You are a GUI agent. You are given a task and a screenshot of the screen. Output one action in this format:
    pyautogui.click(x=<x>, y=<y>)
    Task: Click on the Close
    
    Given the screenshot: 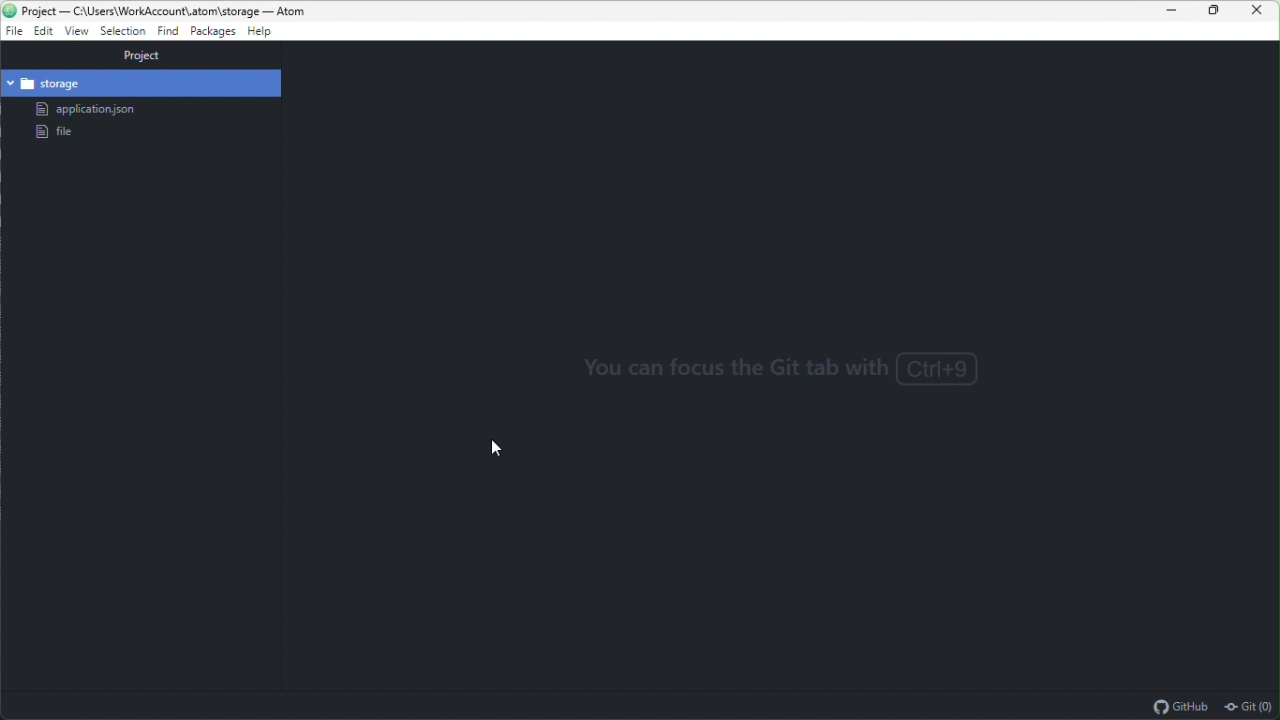 What is the action you would take?
    pyautogui.click(x=1259, y=9)
    